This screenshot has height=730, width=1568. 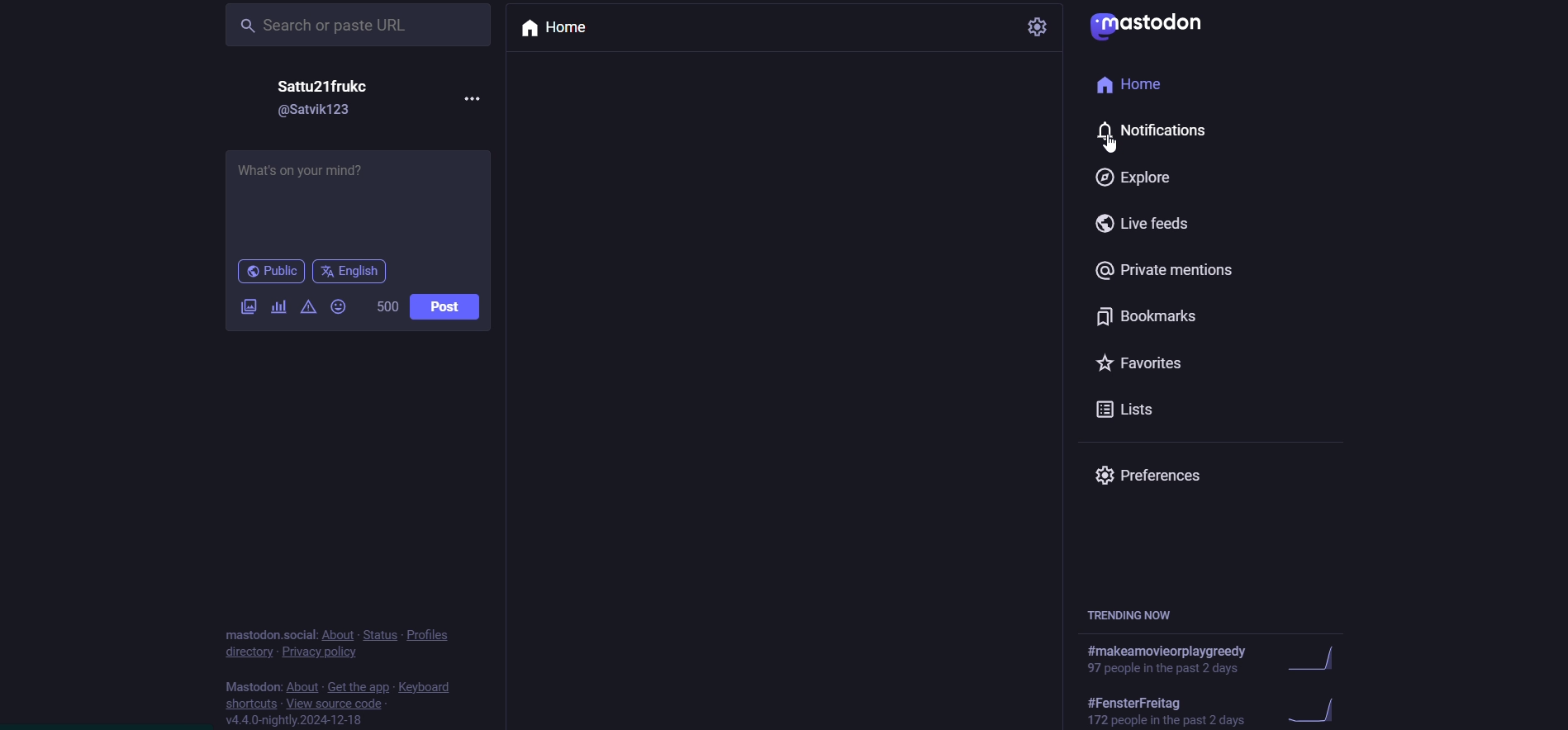 What do you see at coordinates (1154, 476) in the screenshot?
I see `Preferences` at bounding box center [1154, 476].